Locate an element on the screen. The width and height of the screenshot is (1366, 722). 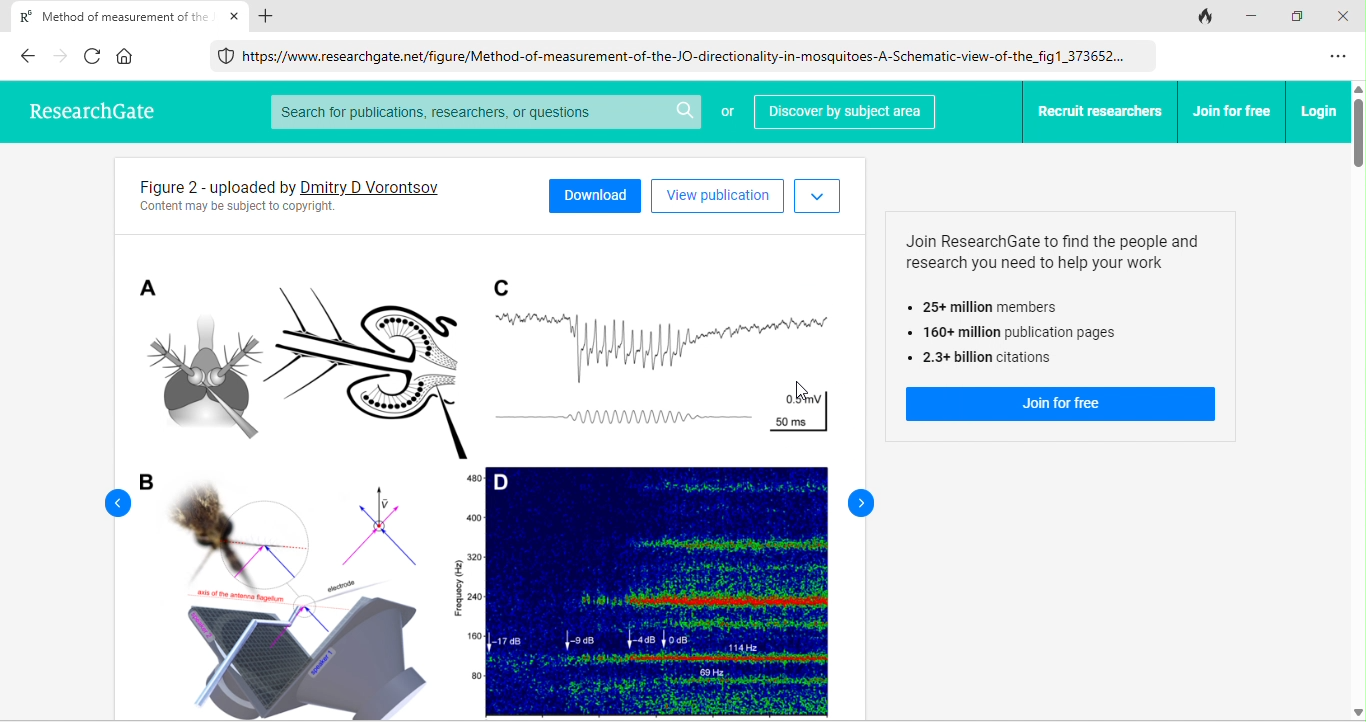
or is located at coordinates (726, 114).